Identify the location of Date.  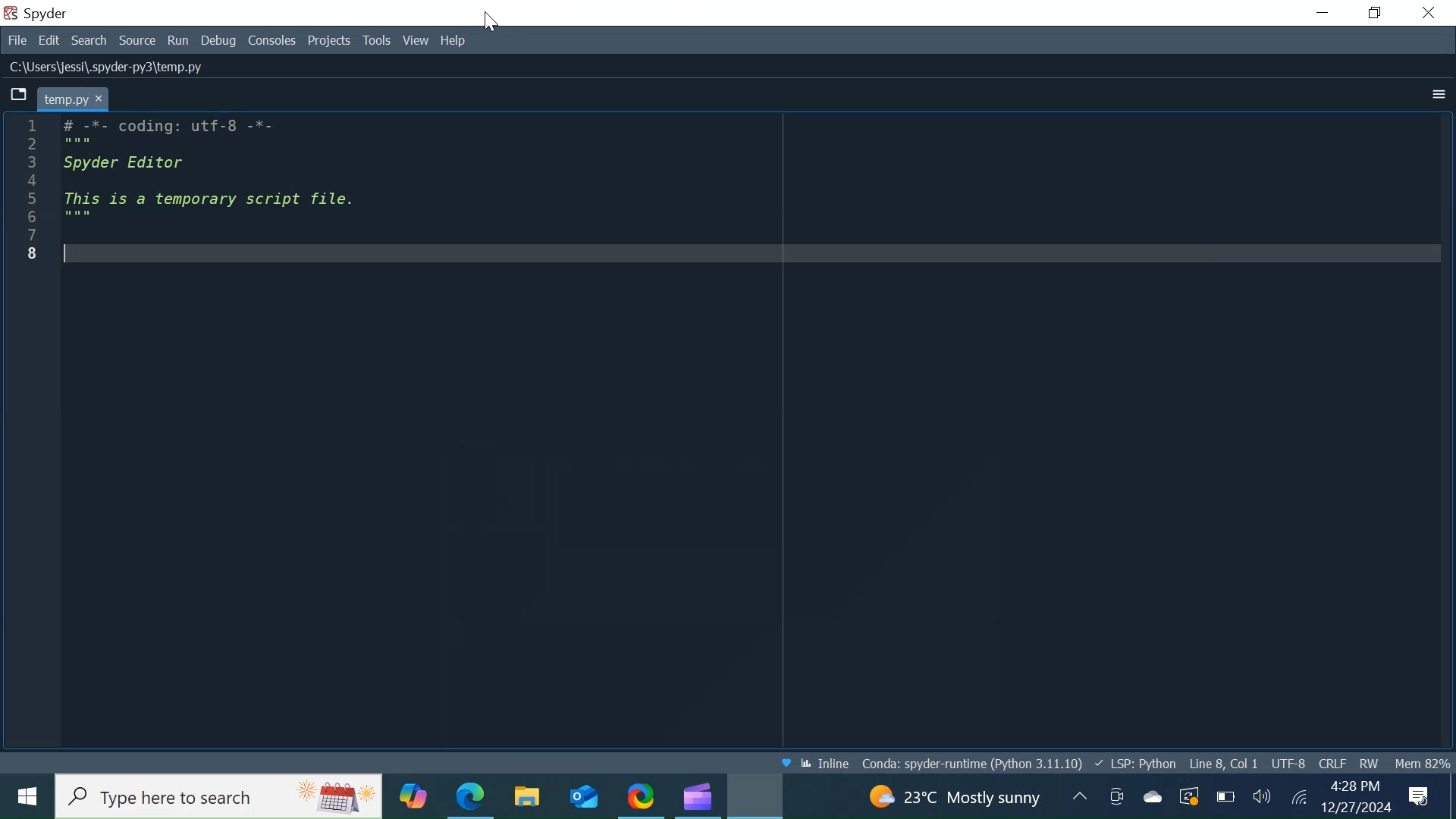
(1354, 806).